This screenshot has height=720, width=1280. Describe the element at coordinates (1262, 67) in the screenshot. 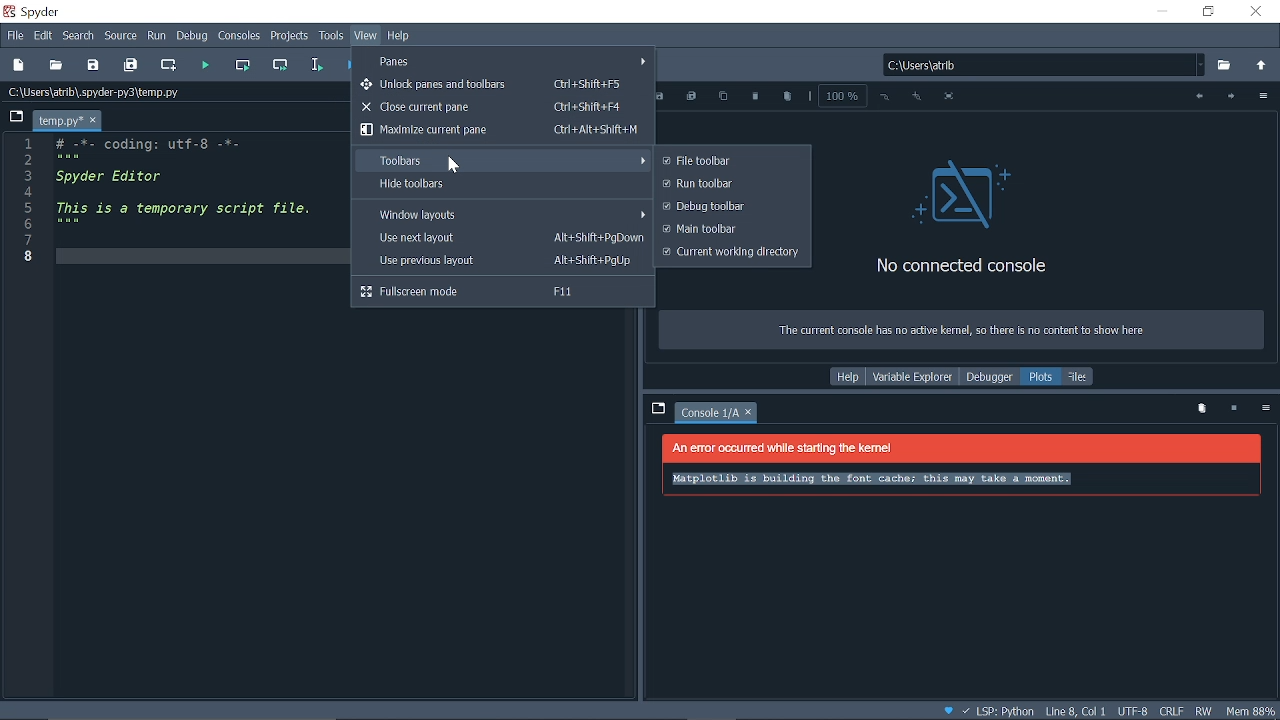

I see `Change to parent directory` at that location.